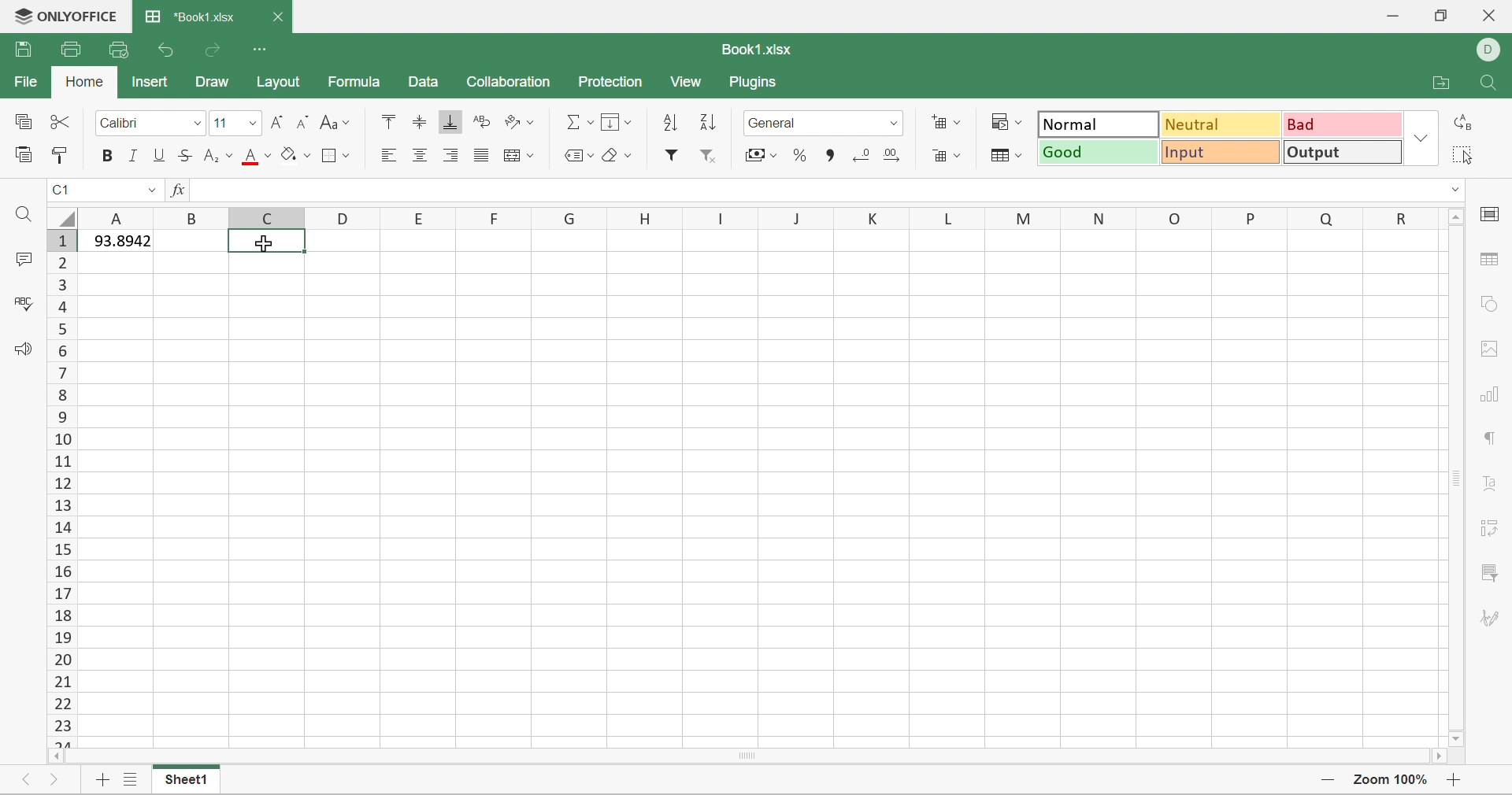 This screenshot has width=1512, height=795. What do you see at coordinates (183, 782) in the screenshot?
I see `Sheet1` at bounding box center [183, 782].